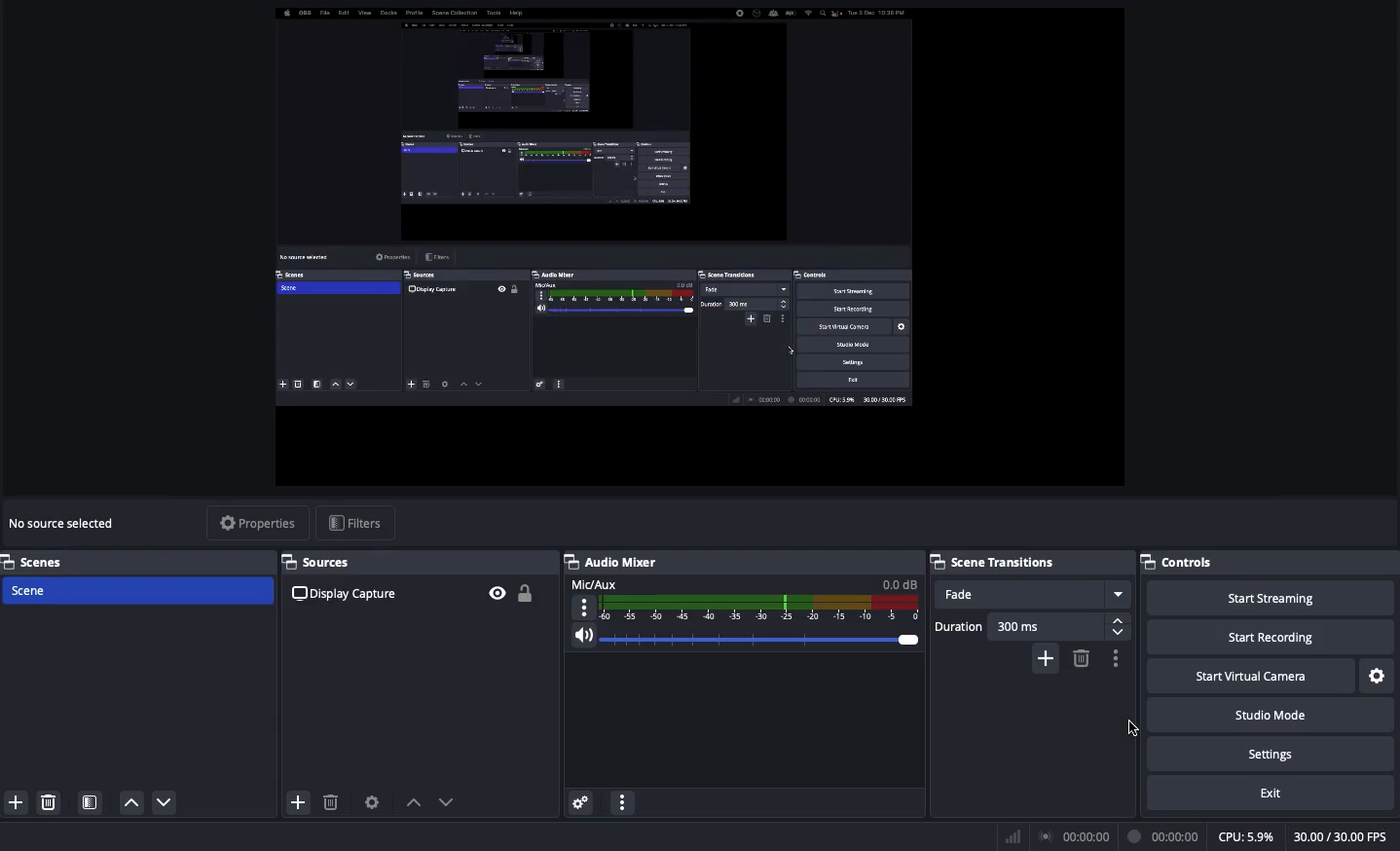 This screenshot has width=1400, height=851. I want to click on Broadcast, so click(1076, 836).